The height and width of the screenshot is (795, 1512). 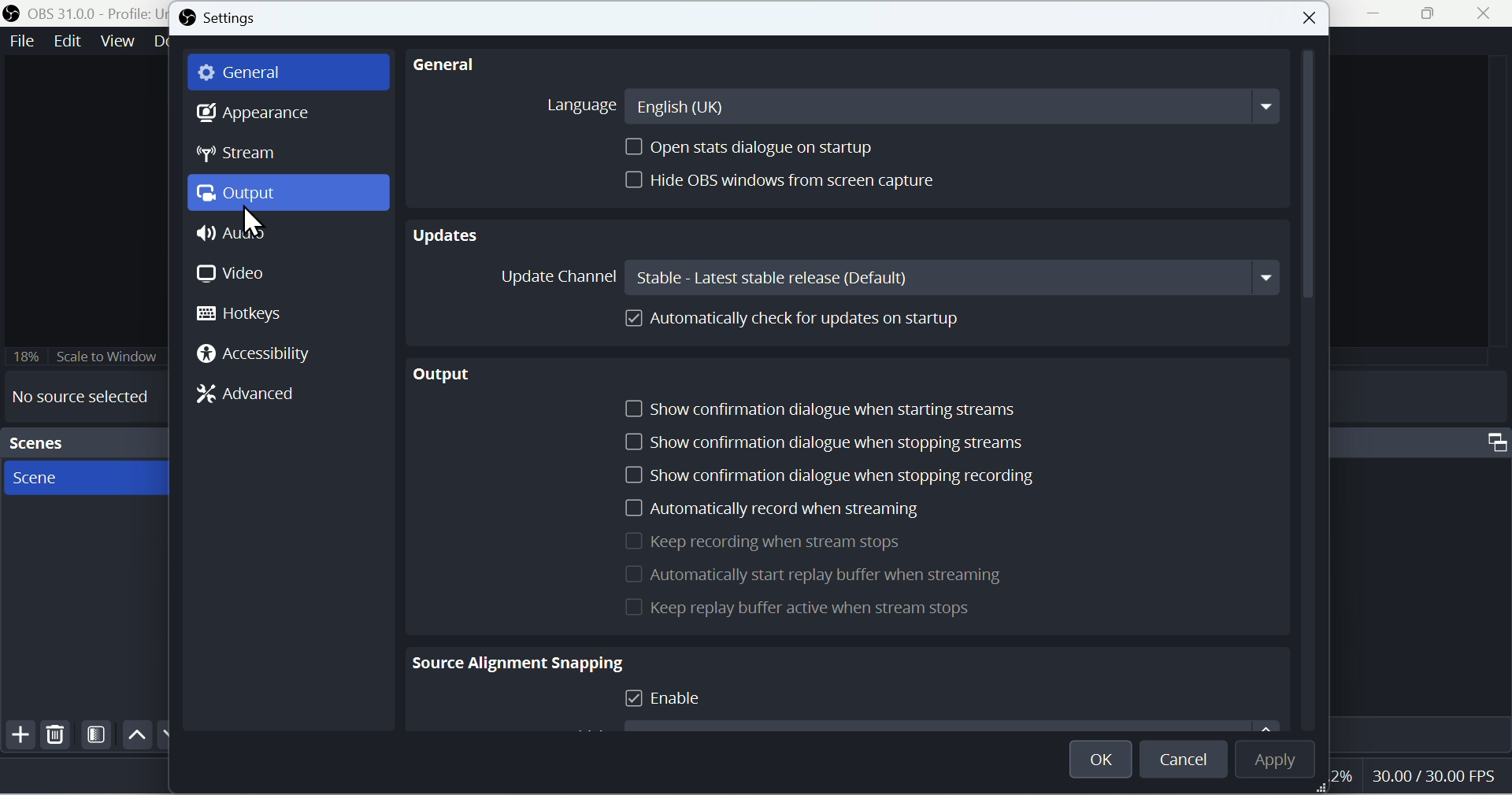 I want to click on Automatically start replay buffer when streat, so click(x=808, y=573).